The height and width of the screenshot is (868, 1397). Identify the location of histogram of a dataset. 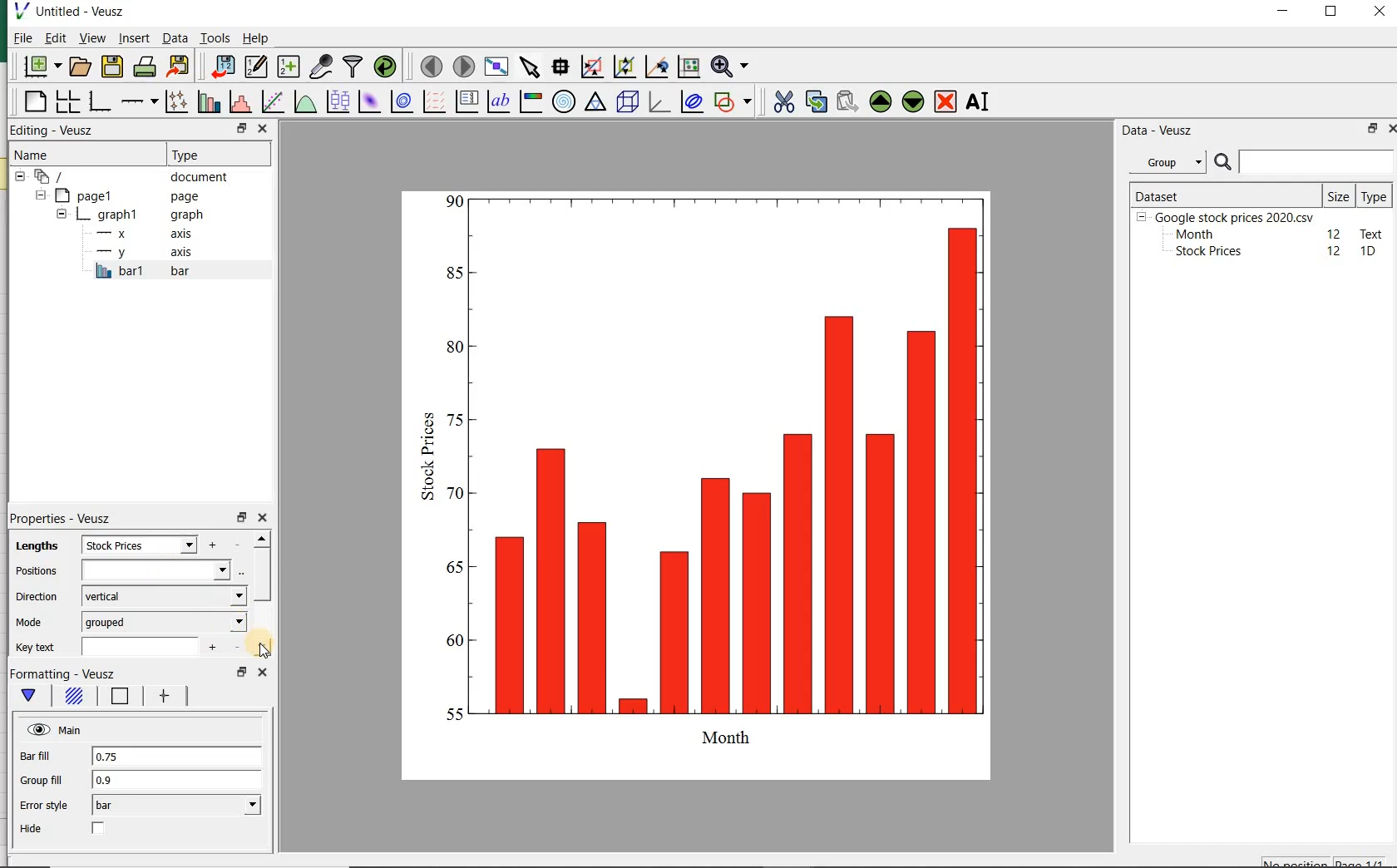
(239, 104).